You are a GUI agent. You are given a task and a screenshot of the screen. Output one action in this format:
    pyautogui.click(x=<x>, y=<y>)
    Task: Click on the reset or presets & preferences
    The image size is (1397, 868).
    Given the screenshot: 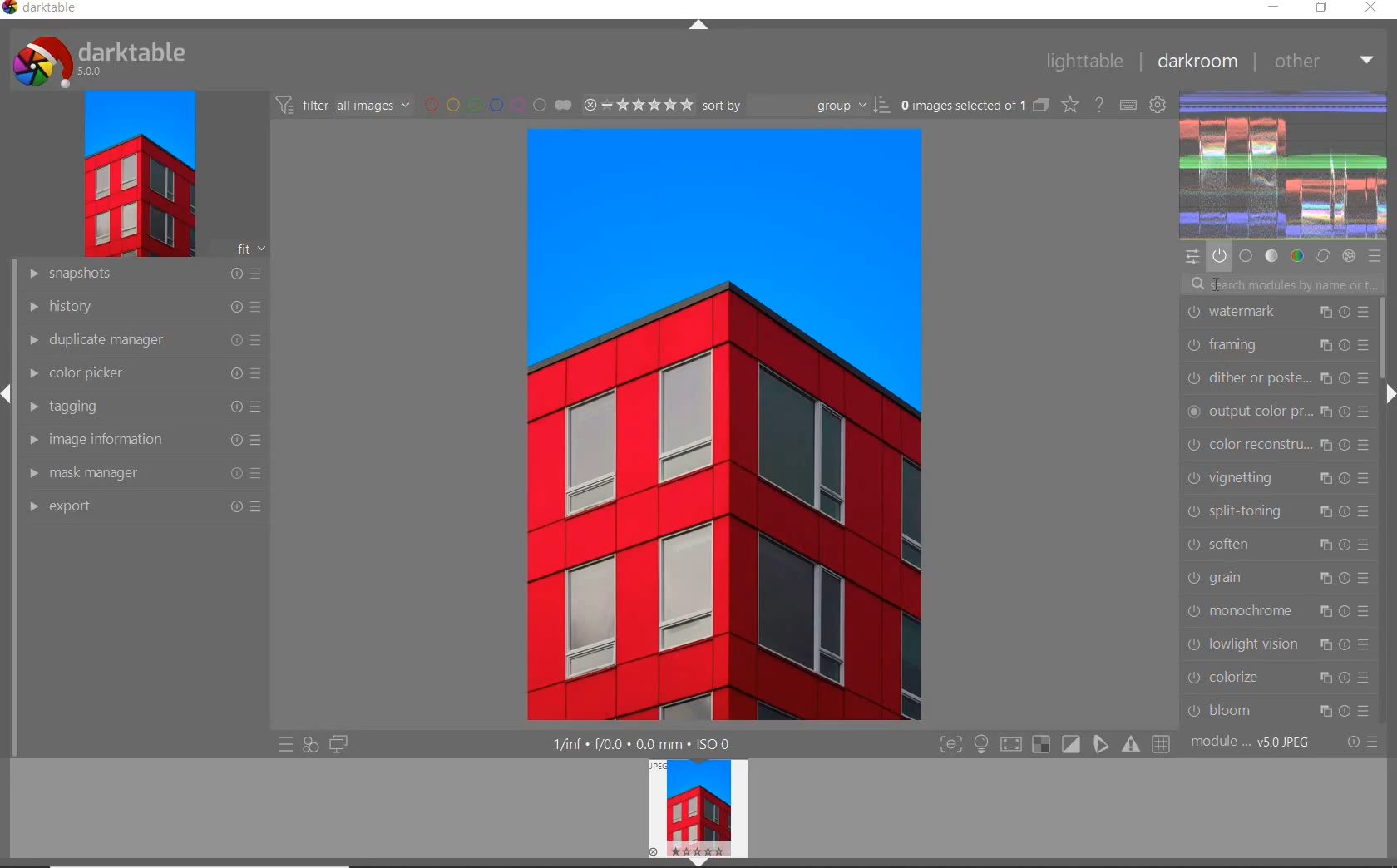 What is the action you would take?
    pyautogui.click(x=1362, y=743)
    